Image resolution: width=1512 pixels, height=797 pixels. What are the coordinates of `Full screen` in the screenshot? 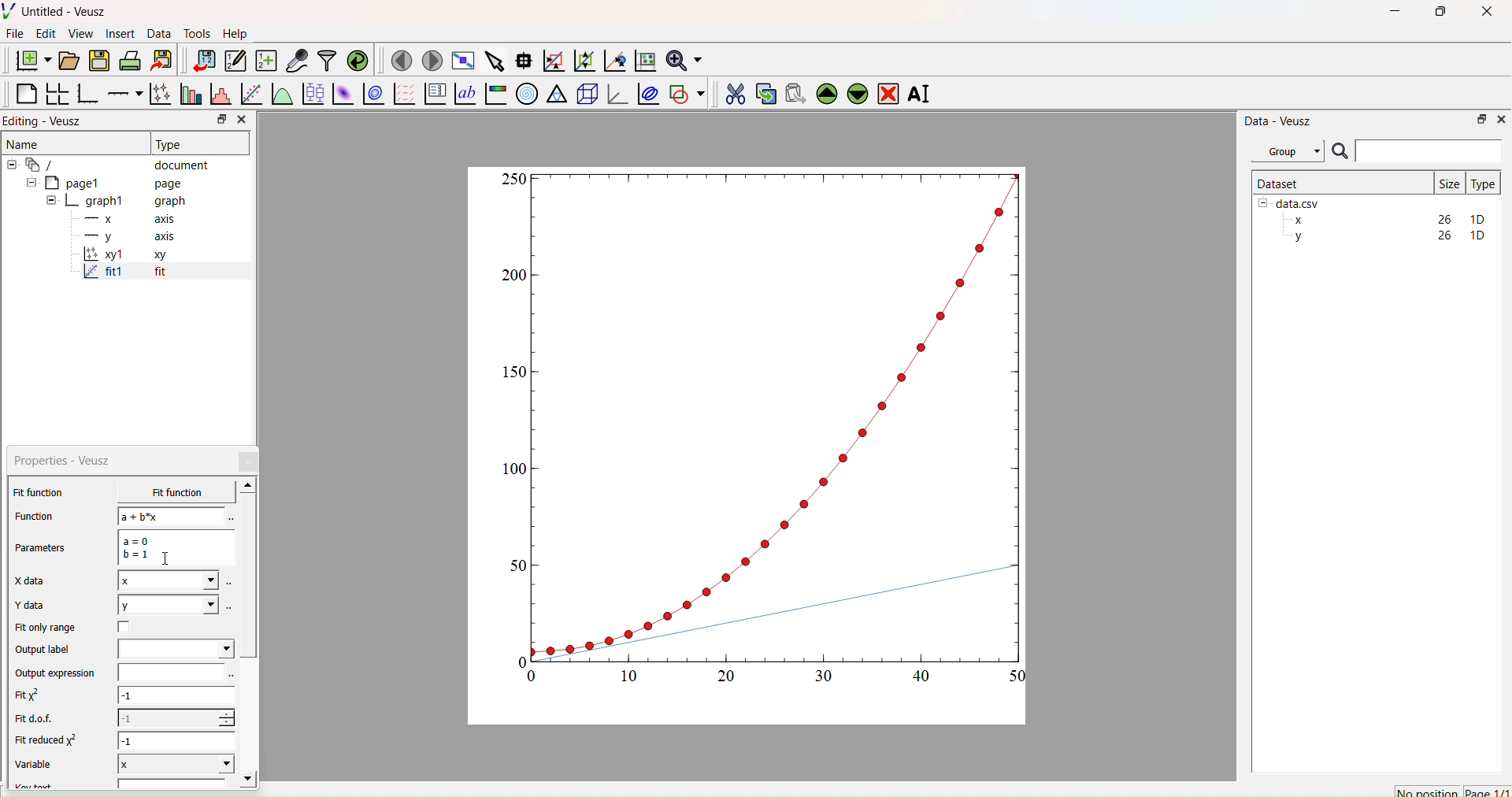 It's located at (460, 61).